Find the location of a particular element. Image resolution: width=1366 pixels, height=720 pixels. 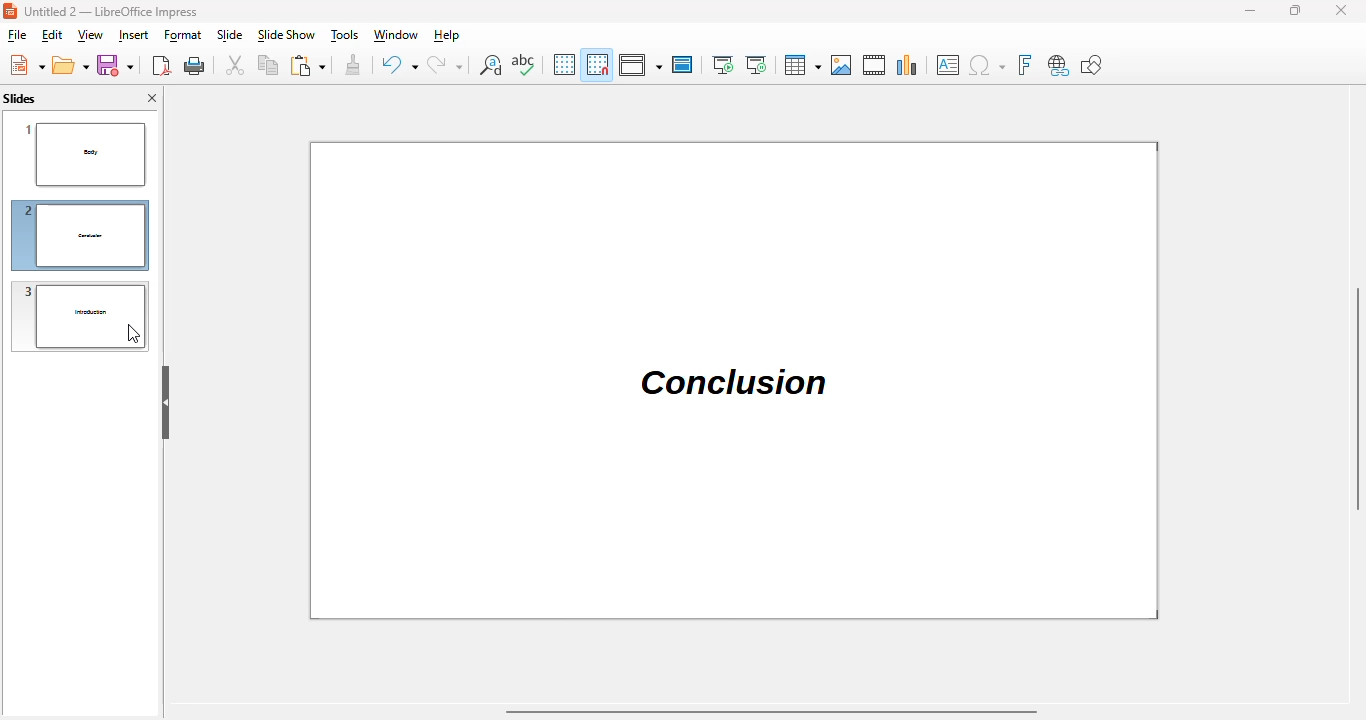

start from current slide is located at coordinates (756, 65).